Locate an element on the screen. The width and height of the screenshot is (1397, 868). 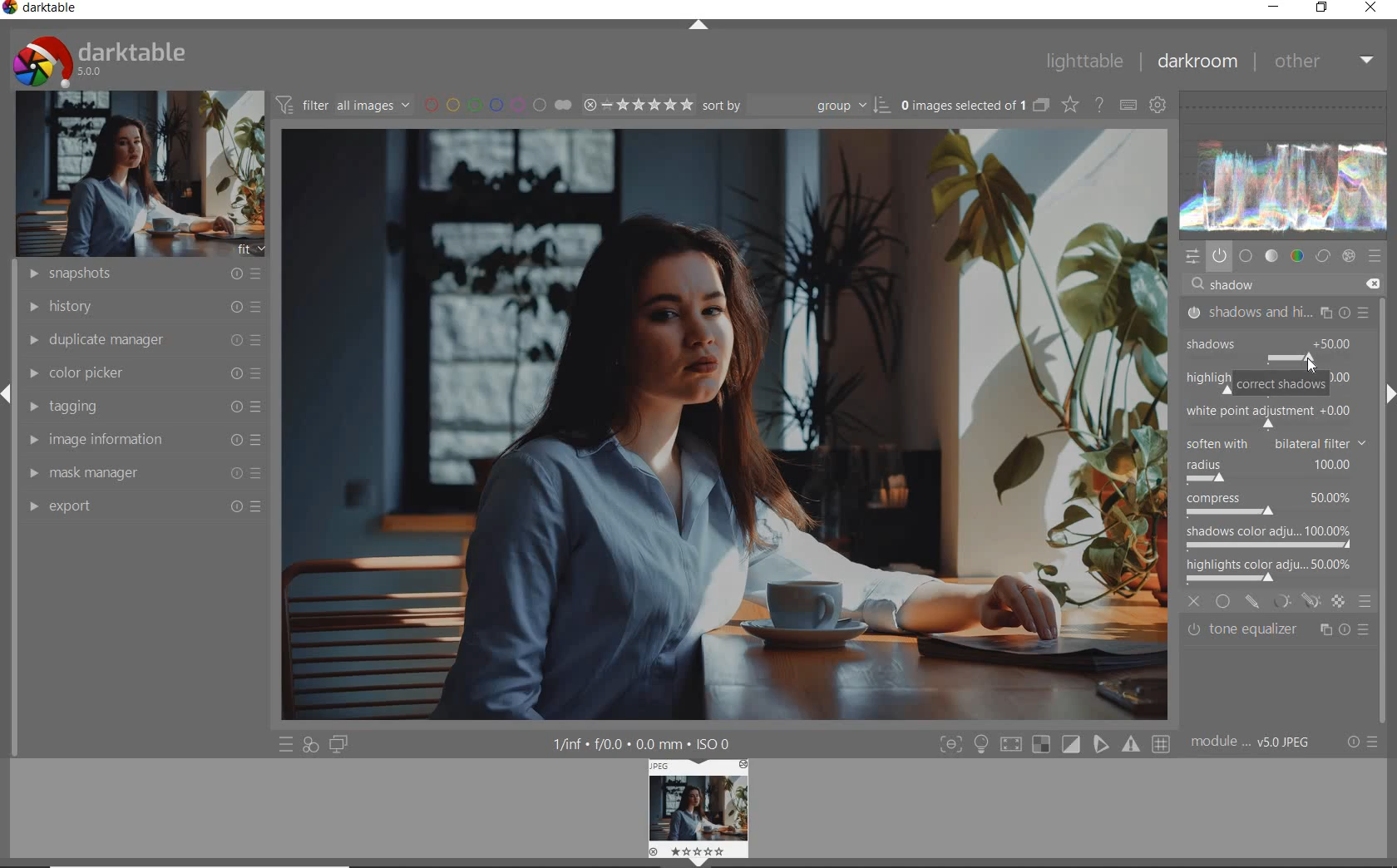
collapse grouped images is located at coordinates (1039, 106).